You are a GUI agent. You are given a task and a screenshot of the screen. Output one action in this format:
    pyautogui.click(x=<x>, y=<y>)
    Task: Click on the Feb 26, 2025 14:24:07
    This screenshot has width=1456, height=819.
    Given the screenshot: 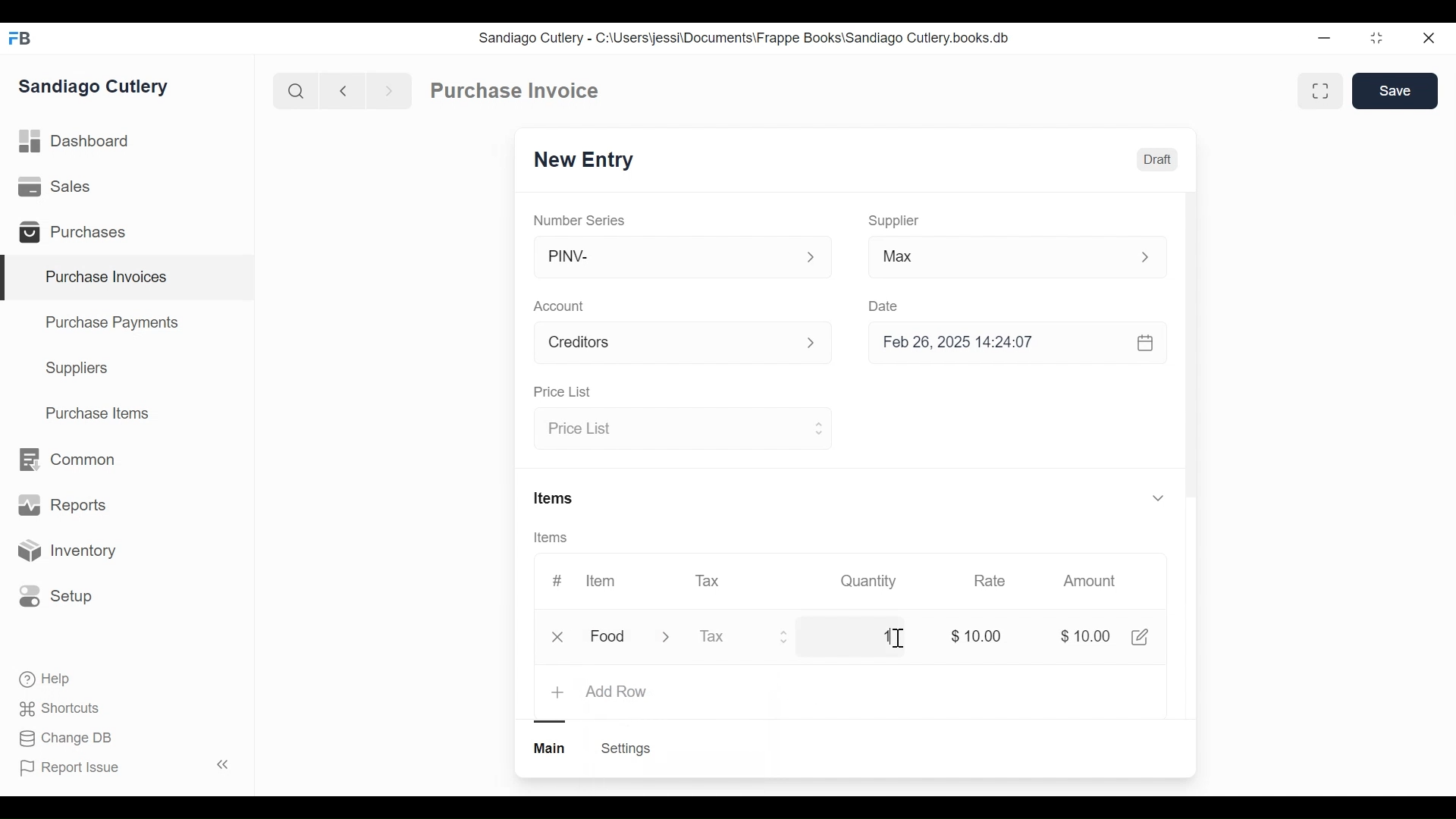 What is the action you would take?
    pyautogui.click(x=1009, y=343)
    